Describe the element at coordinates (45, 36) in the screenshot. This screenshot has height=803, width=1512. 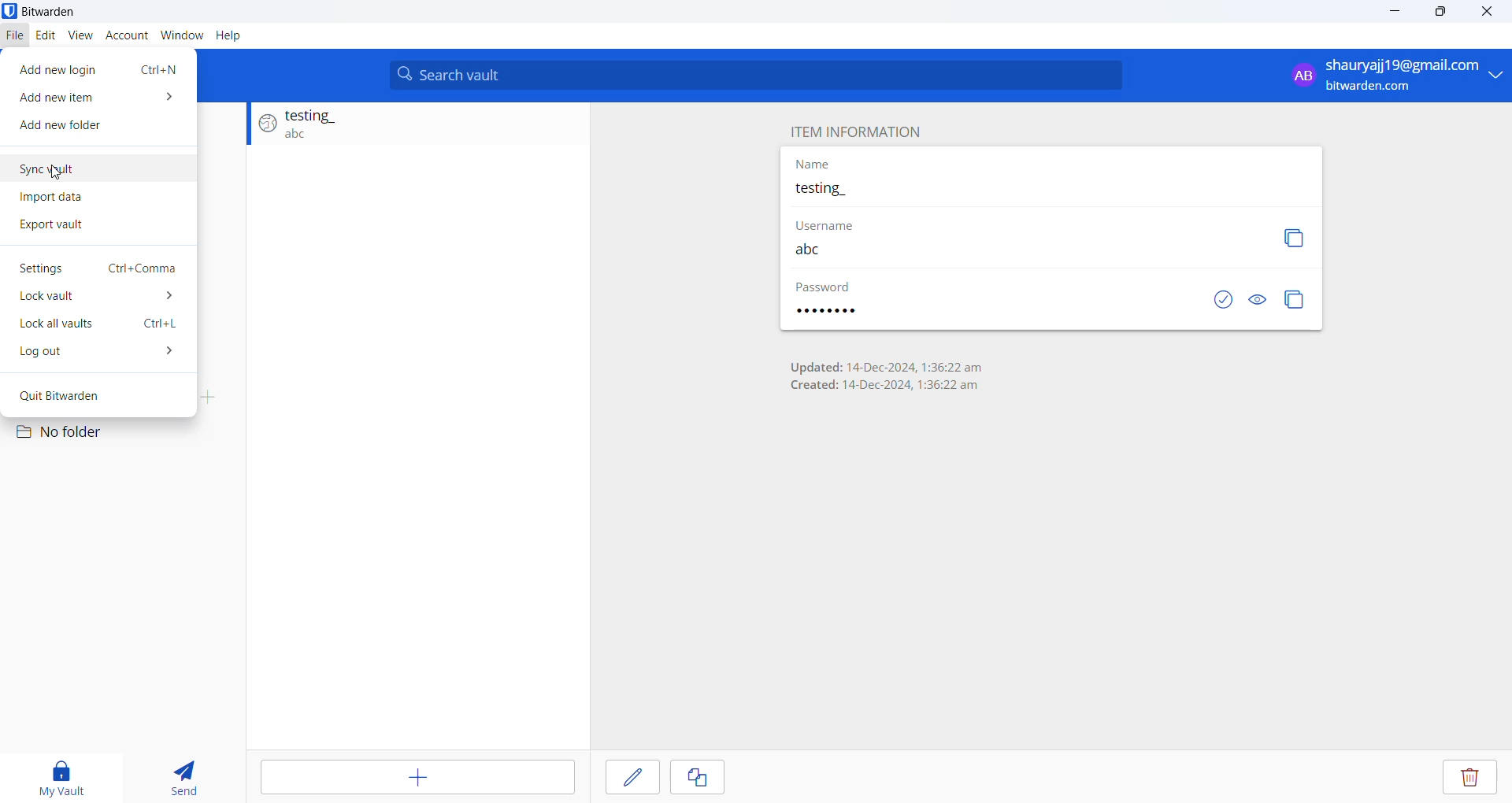
I see `Edit` at that location.